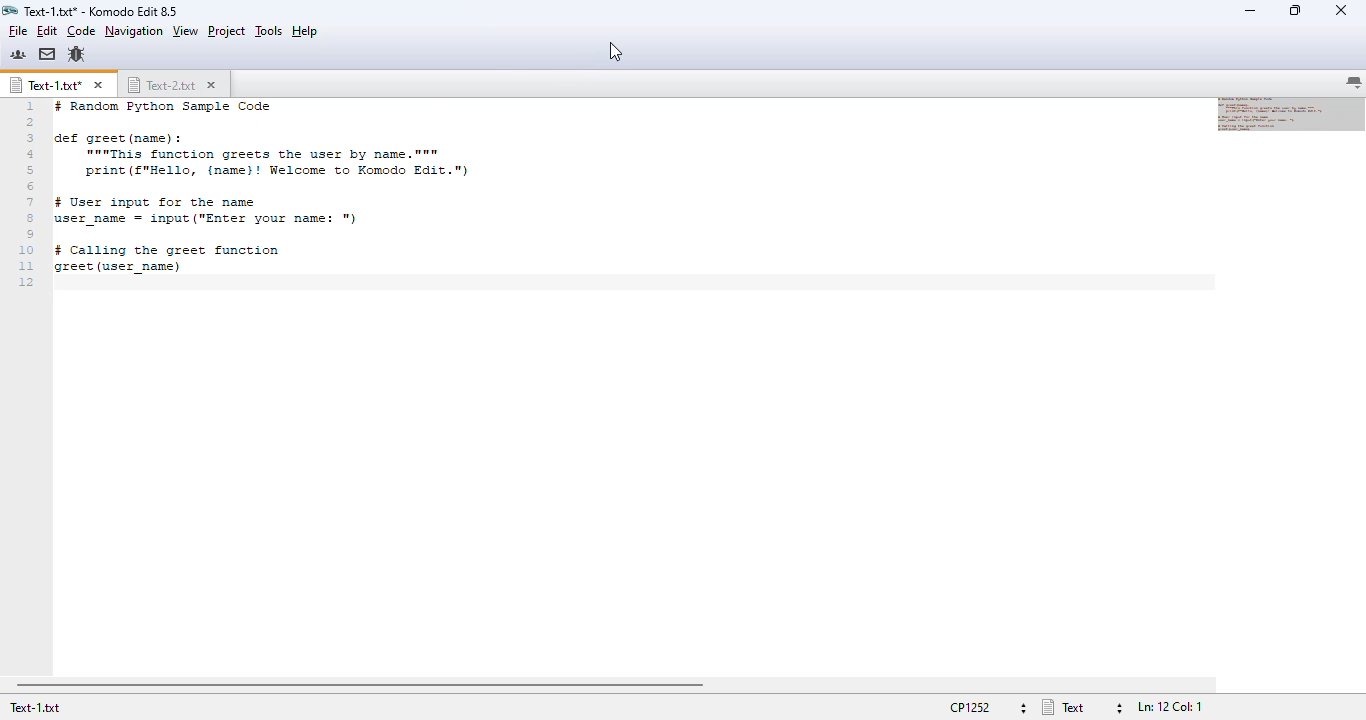 The height and width of the screenshot is (720, 1366). What do you see at coordinates (1252, 11) in the screenshot?
I see `minimize` at bounding box center [1252, 11].